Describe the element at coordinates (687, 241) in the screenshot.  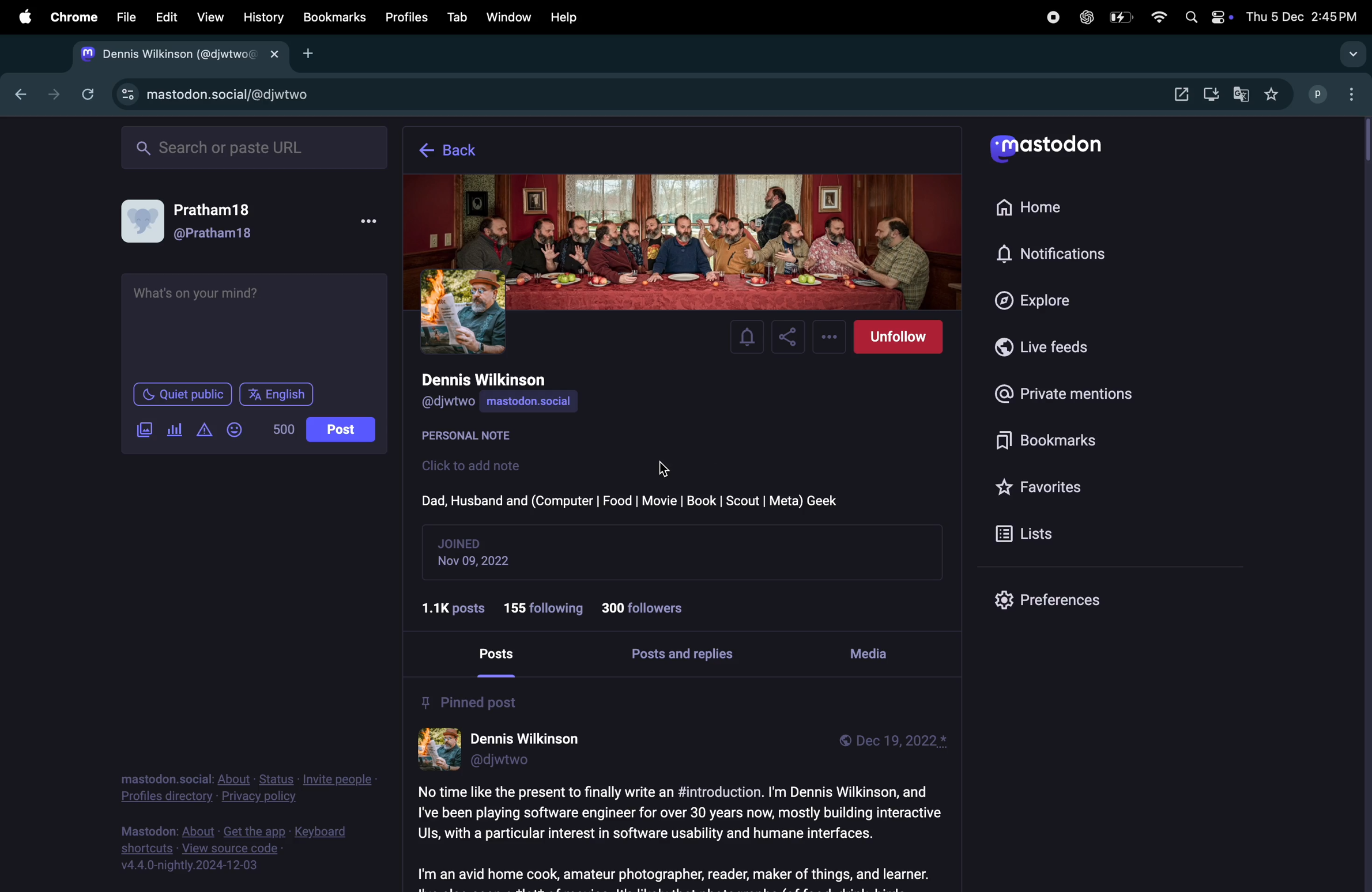
I see `profile display` at that location.